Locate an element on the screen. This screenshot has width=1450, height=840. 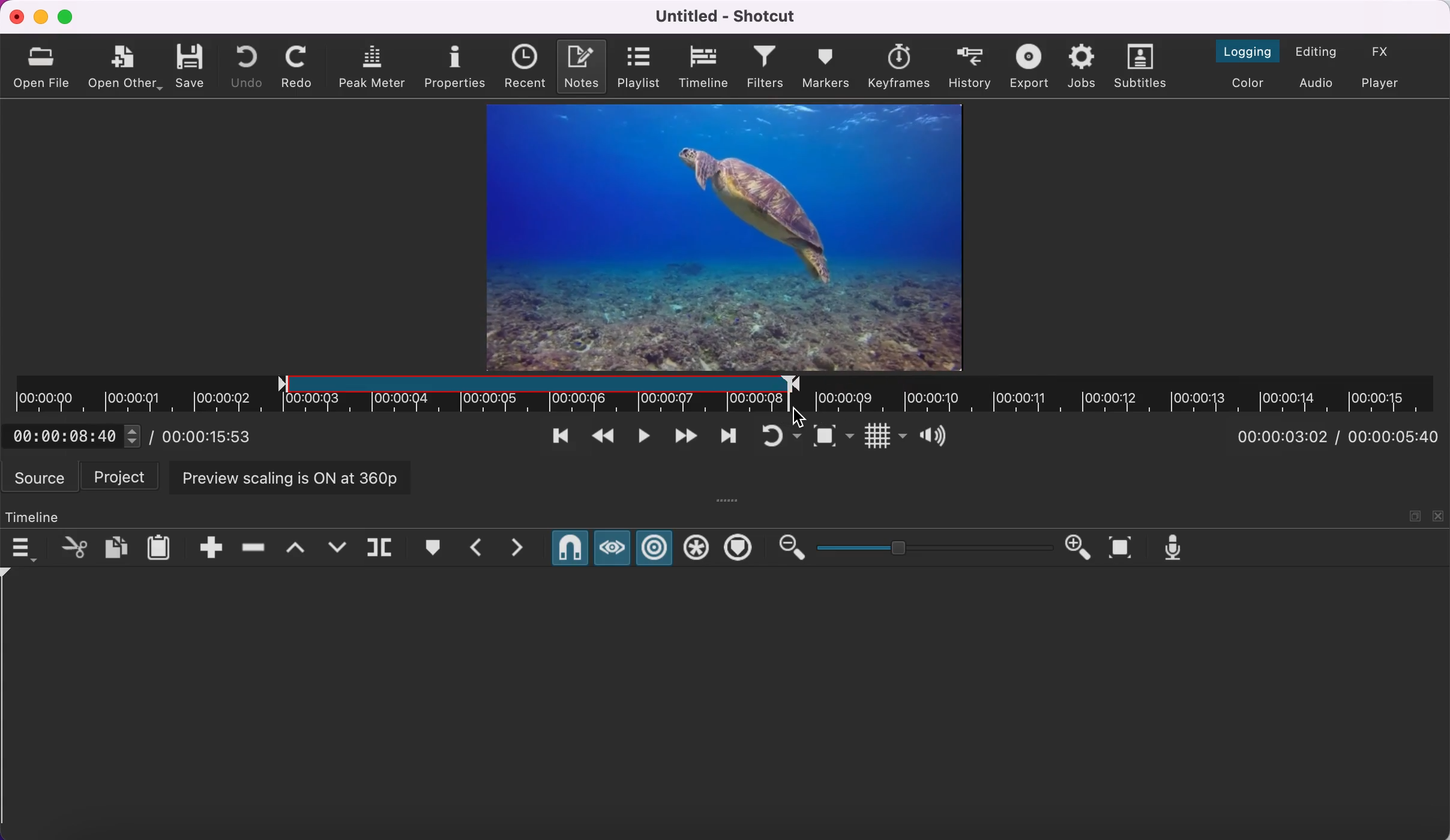
playlist is located at coordinates (640, 68).